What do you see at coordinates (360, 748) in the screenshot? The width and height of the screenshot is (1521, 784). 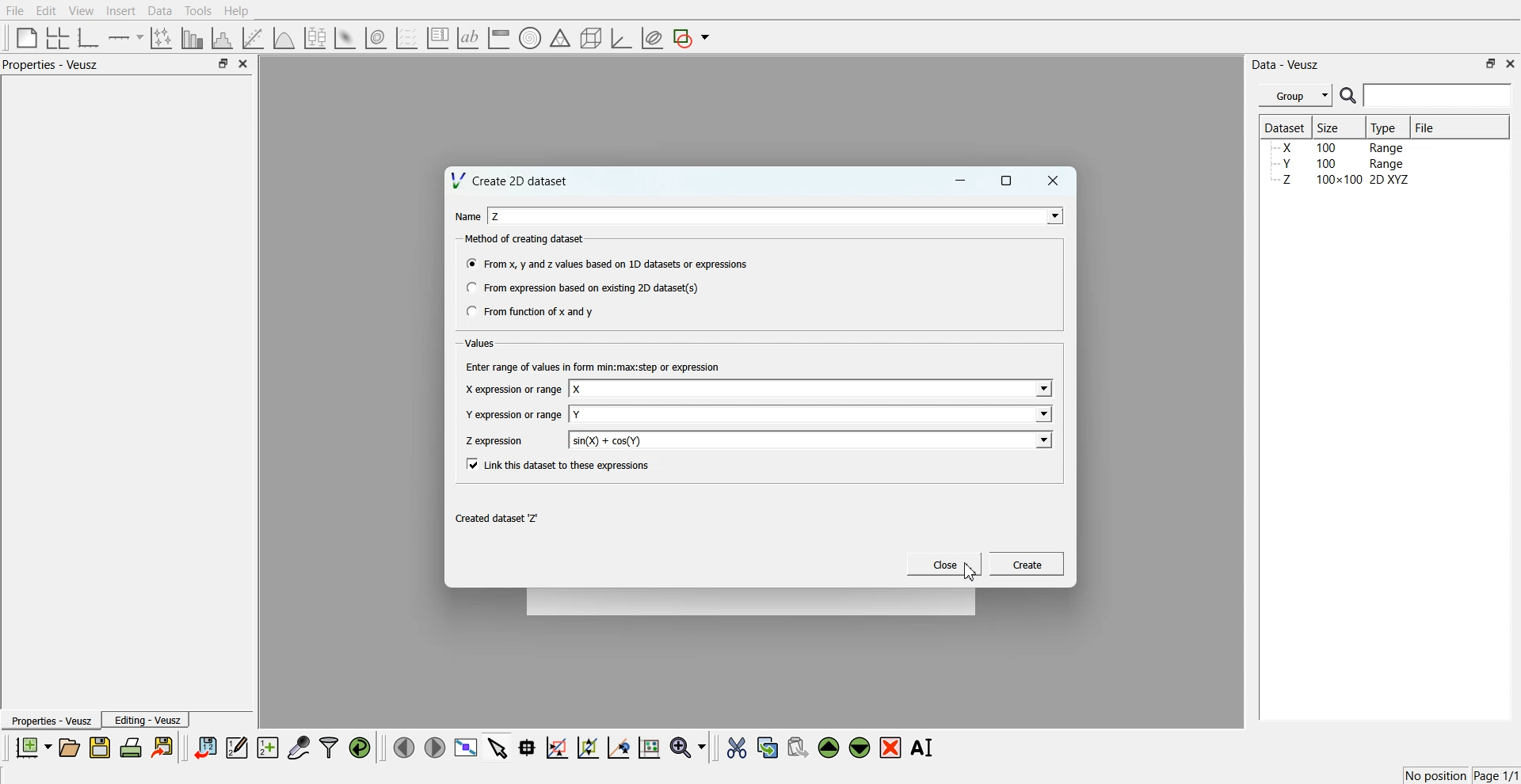 I see `Reload linked dataset` at bounding box center [360, 748].